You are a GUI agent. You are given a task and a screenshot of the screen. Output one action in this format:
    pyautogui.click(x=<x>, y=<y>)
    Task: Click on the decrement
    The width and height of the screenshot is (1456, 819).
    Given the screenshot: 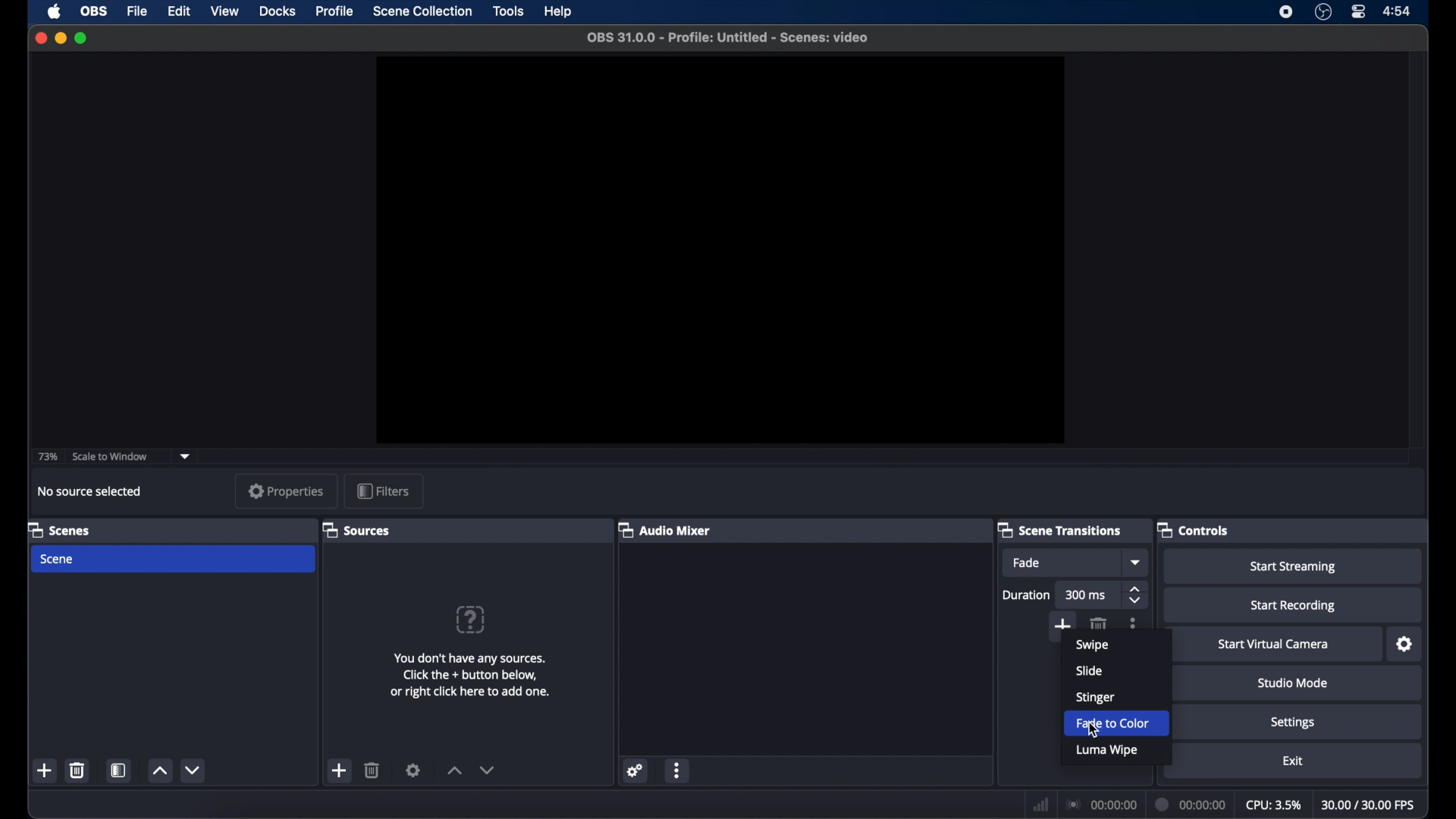 What is the action you would take?
    pyautogui.click(x=192, y=770)
    